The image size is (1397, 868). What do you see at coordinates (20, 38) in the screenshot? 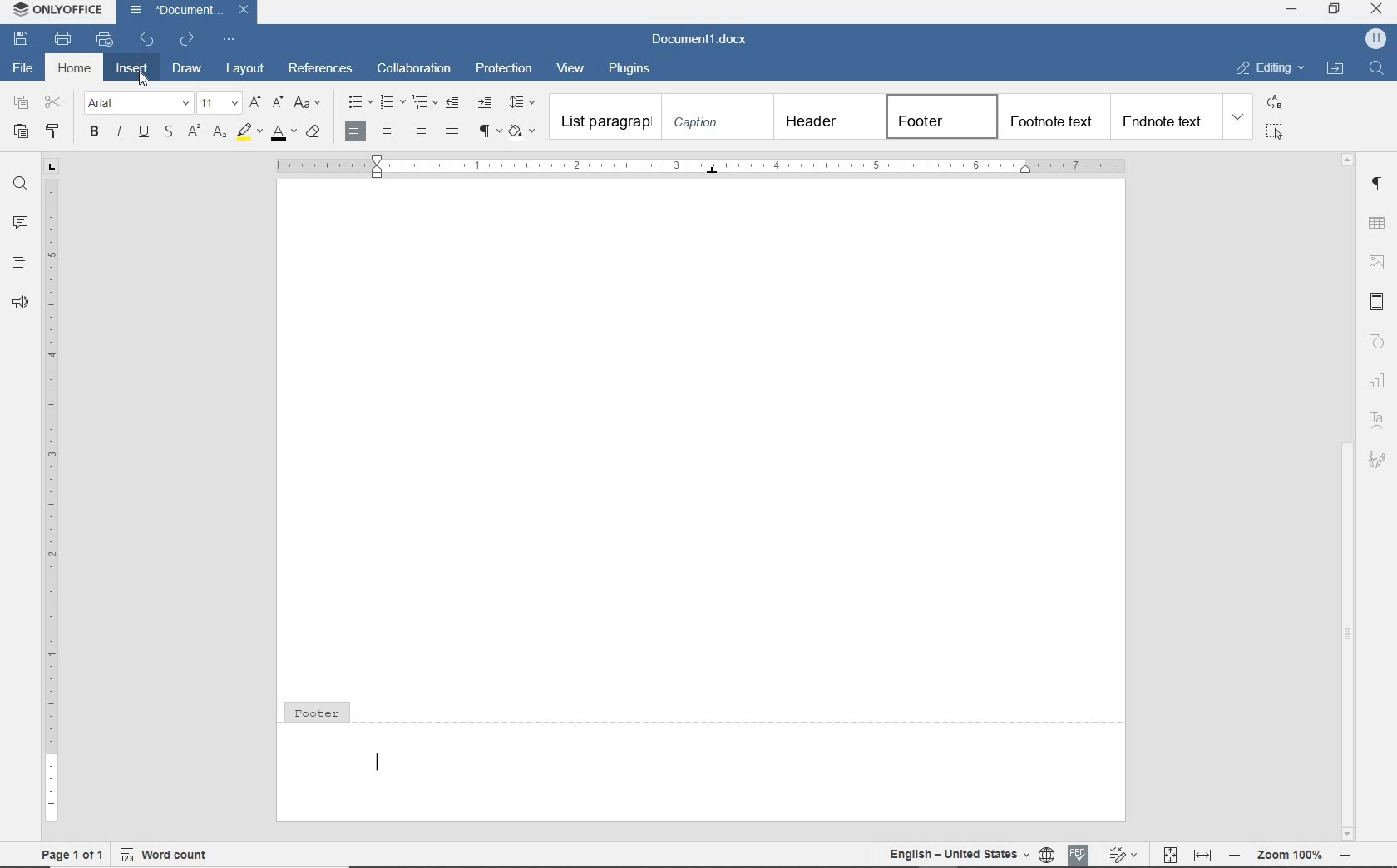
I see `save` at bounding box center [20, 38].